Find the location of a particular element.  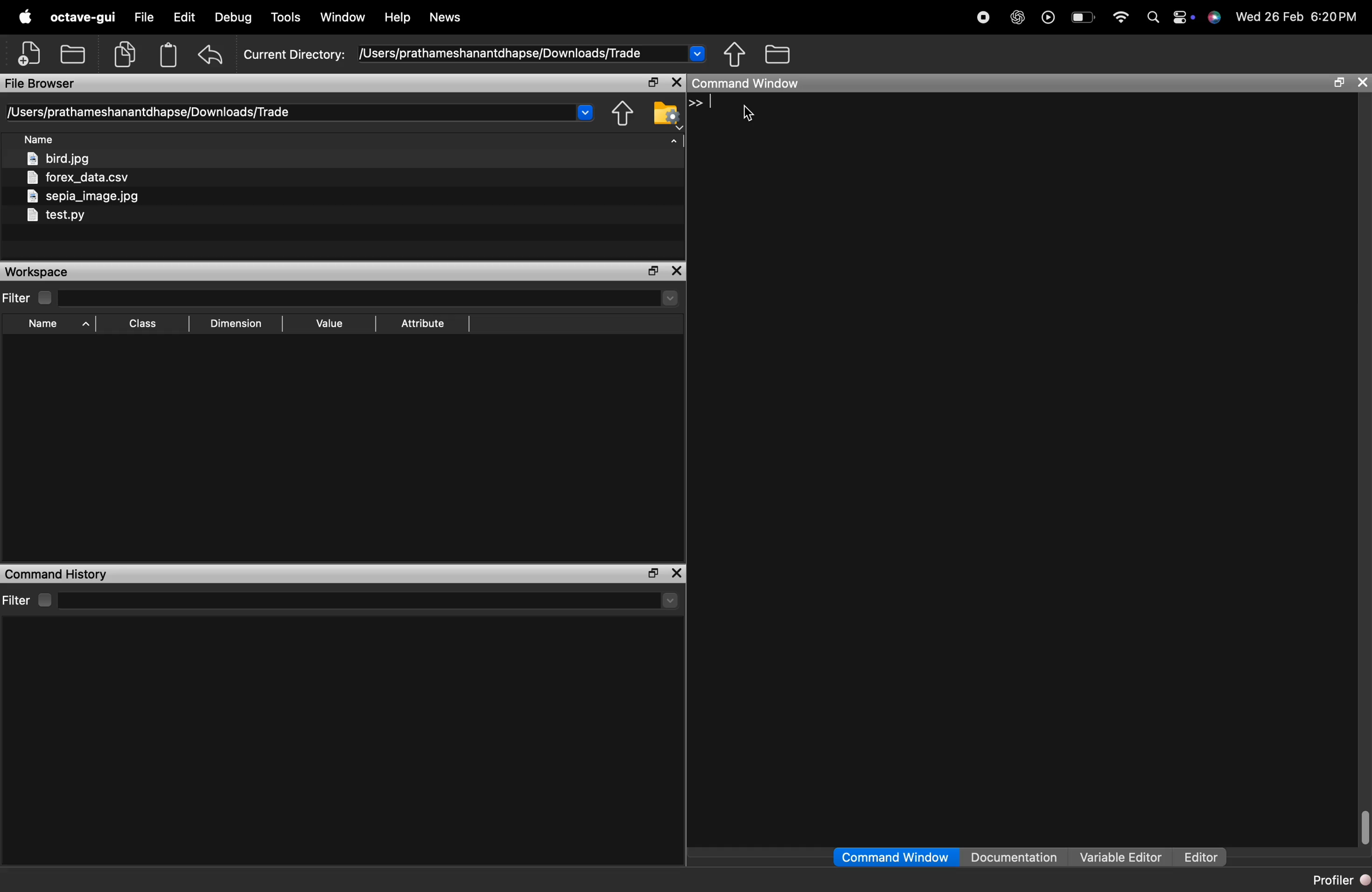

Tools is located at coordinates (288, 16).